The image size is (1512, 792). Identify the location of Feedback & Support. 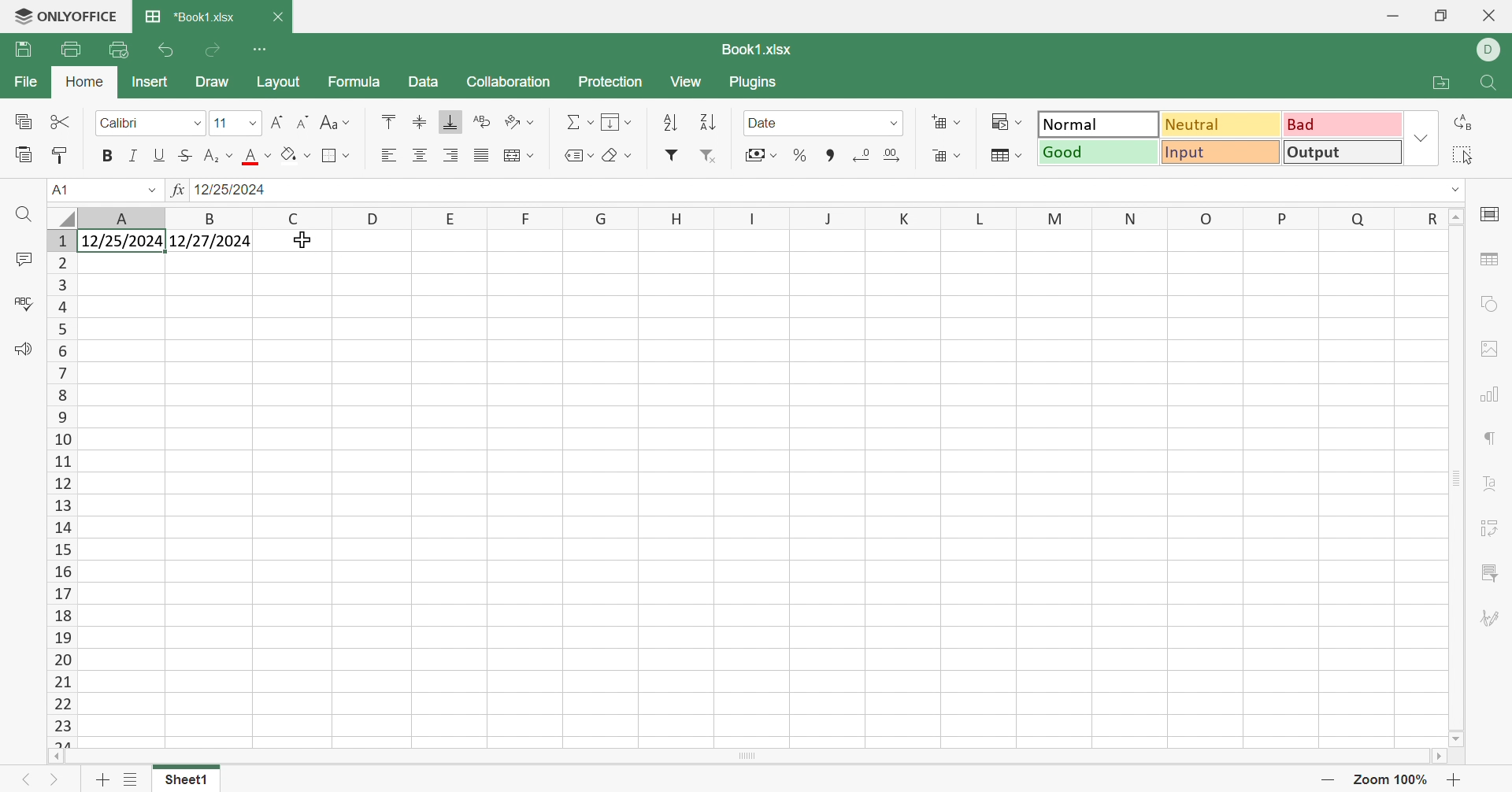
(24, 349).